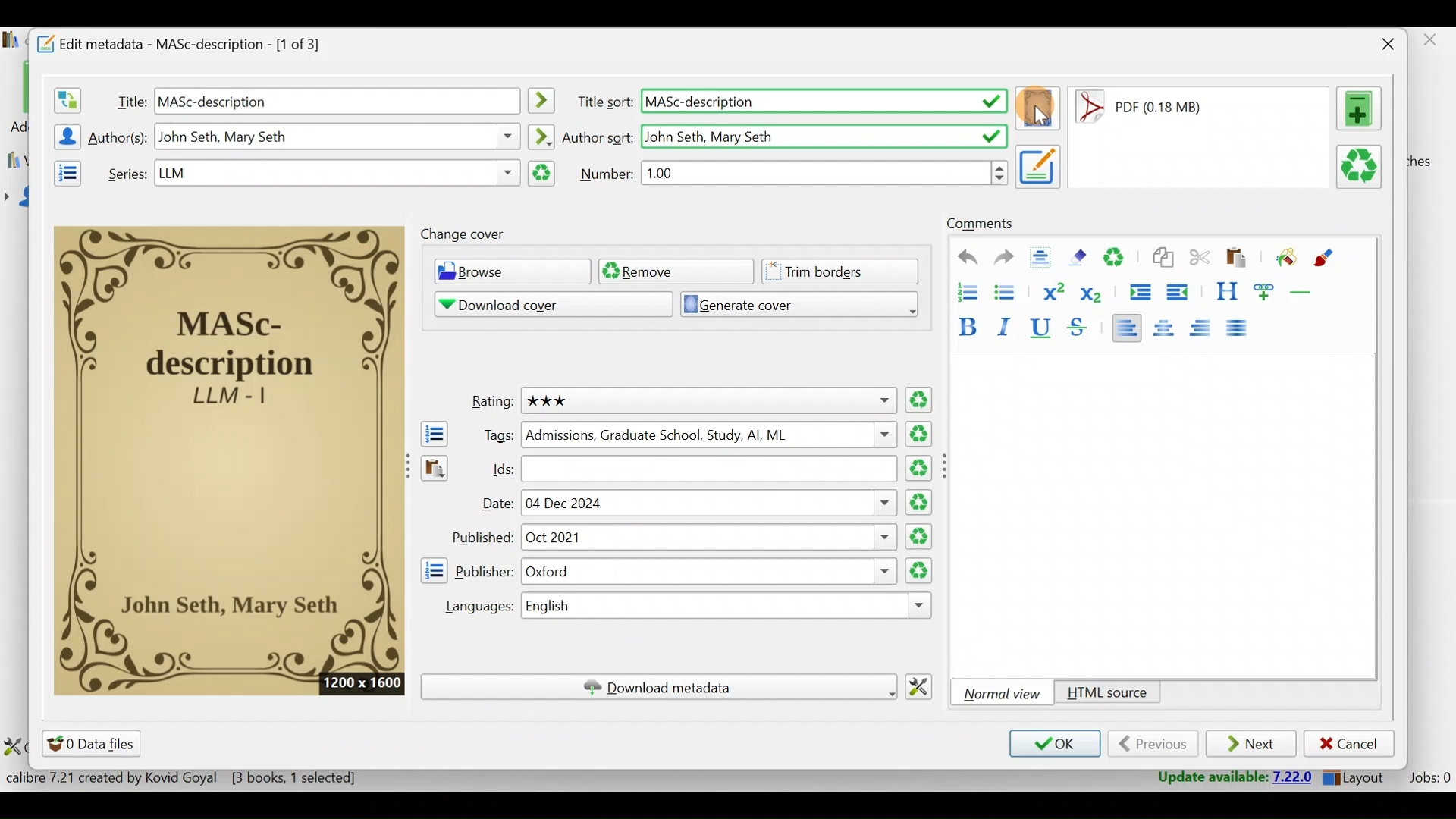  Describe the element at coordinates (230, 459) in the screenshot. I see `Cover preview` at that location.